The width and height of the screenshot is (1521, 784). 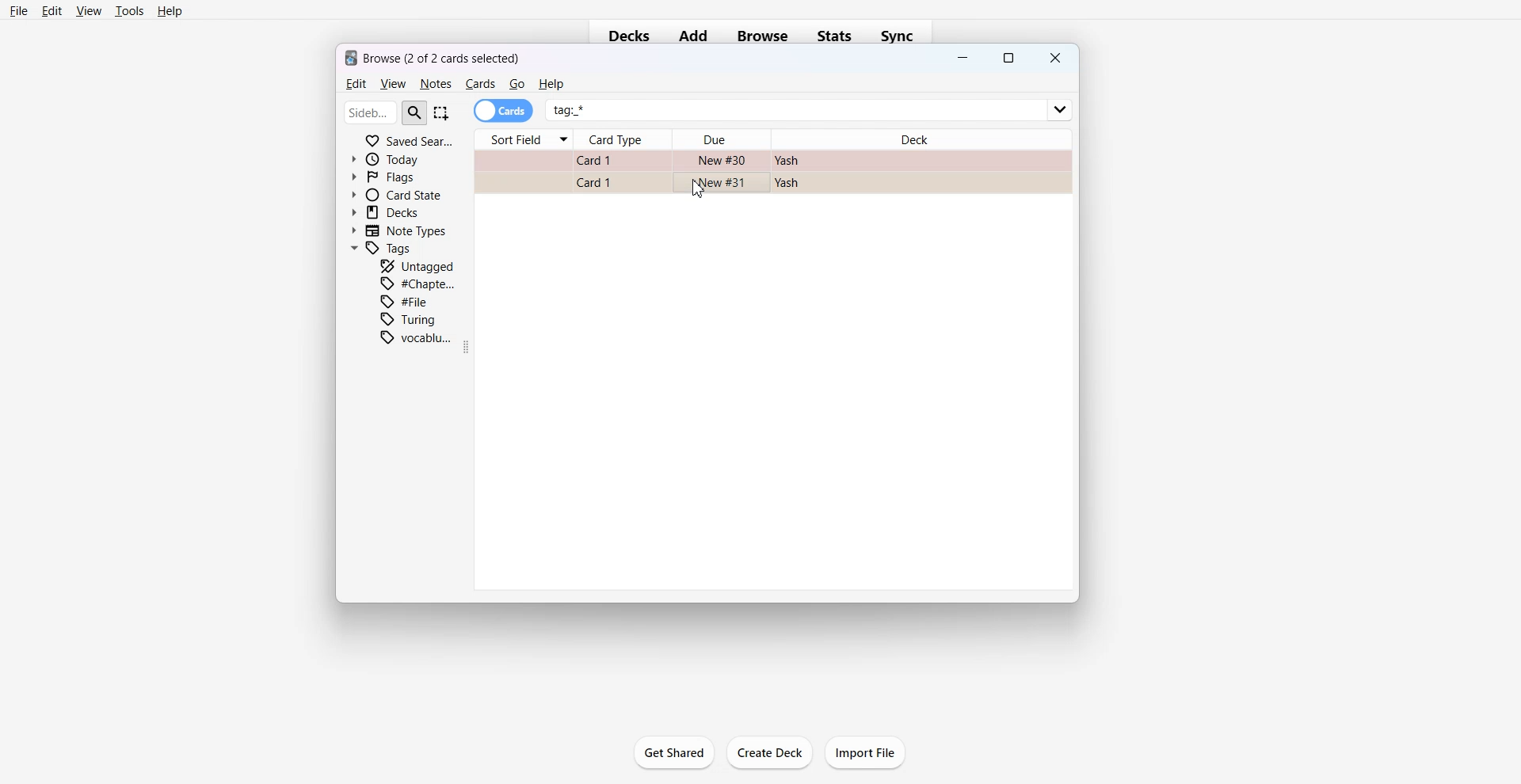 What do you see at coordinates (770, 753) in the screenshot?
I see `Create Deck` at bounding box center [770, 753].